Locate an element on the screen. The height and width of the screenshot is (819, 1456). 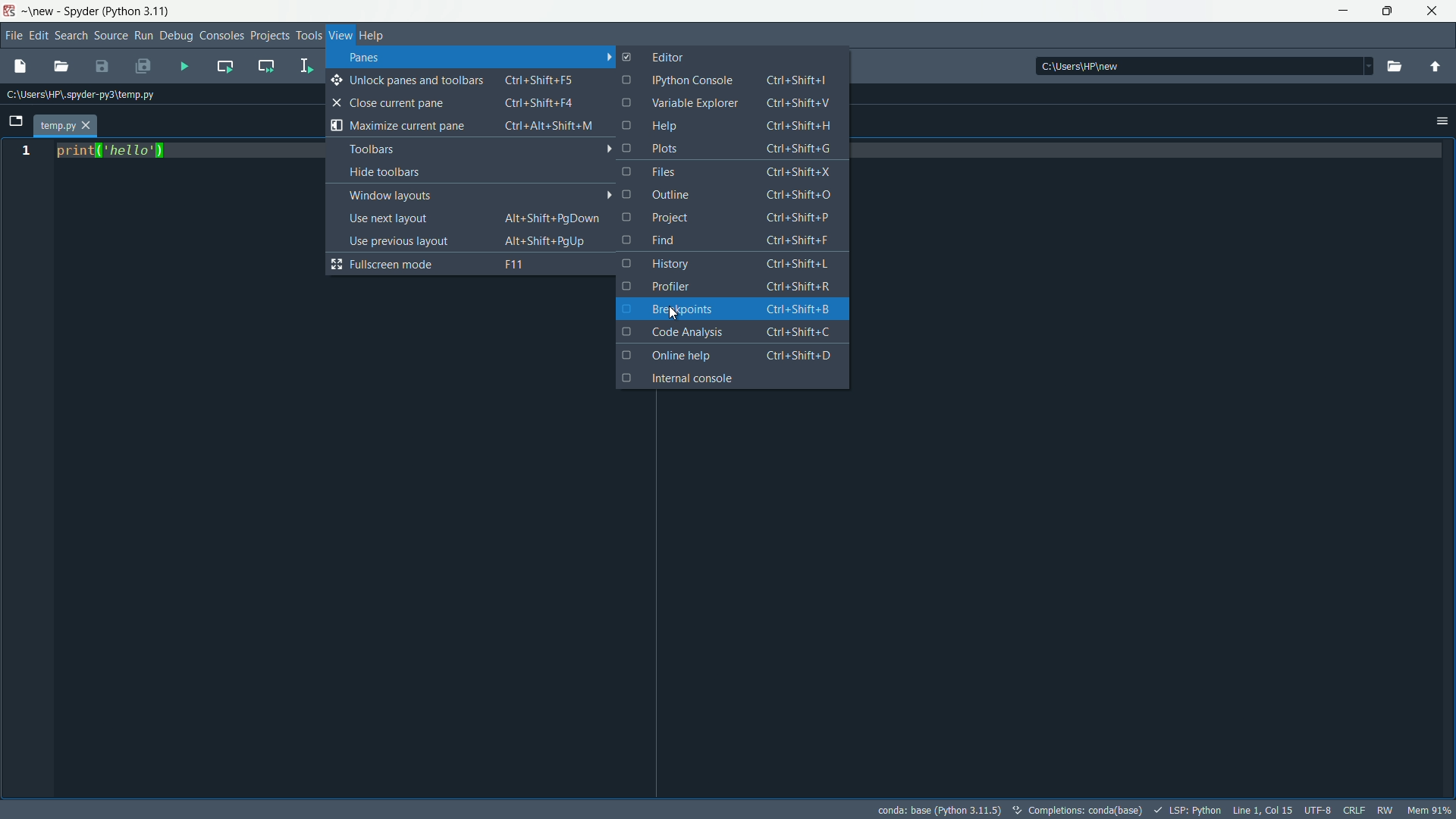
breakpoints is located at coordinates (732, 308).